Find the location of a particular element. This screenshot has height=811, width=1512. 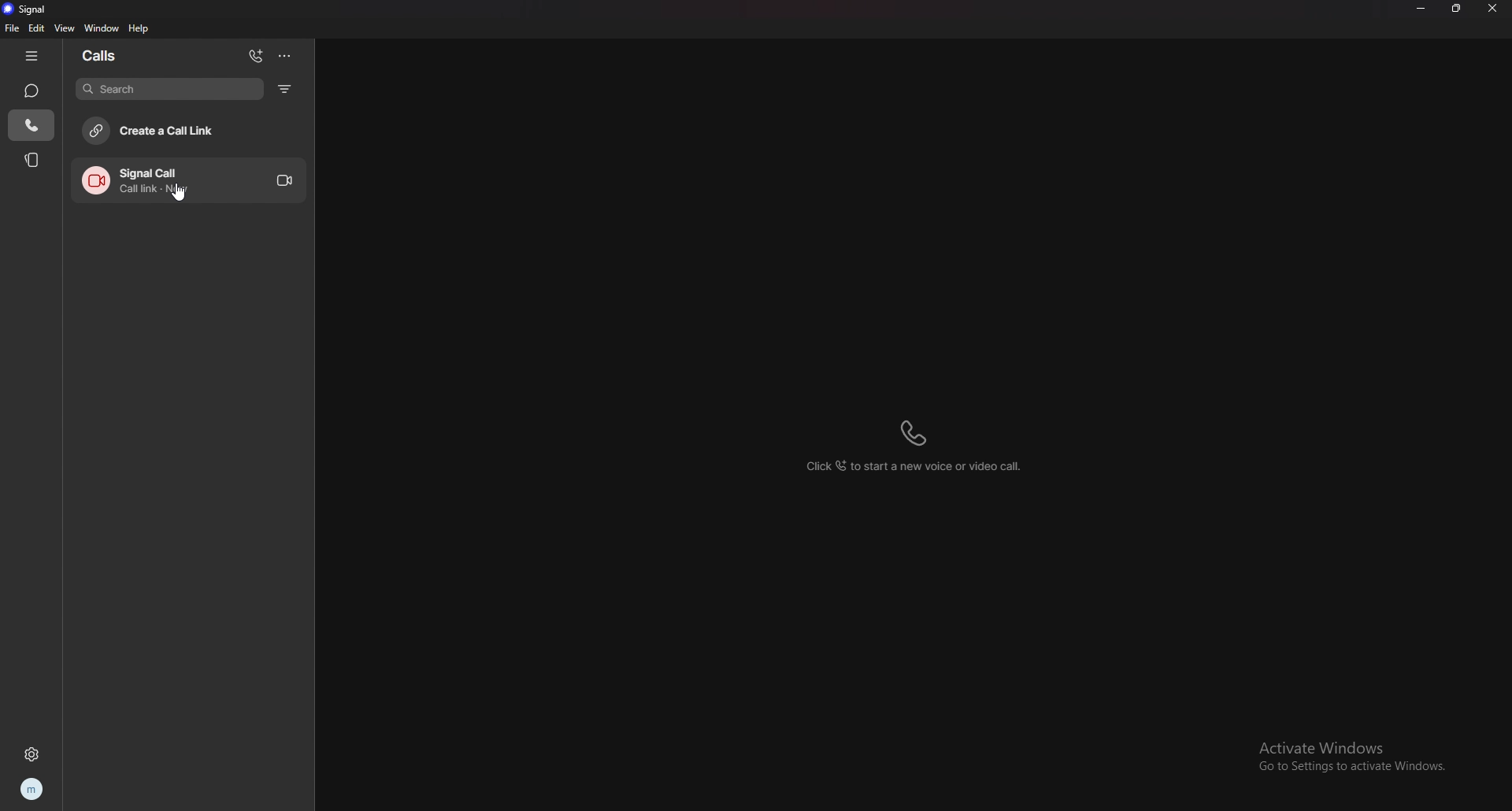

calls is located at coordinates (31, 126).